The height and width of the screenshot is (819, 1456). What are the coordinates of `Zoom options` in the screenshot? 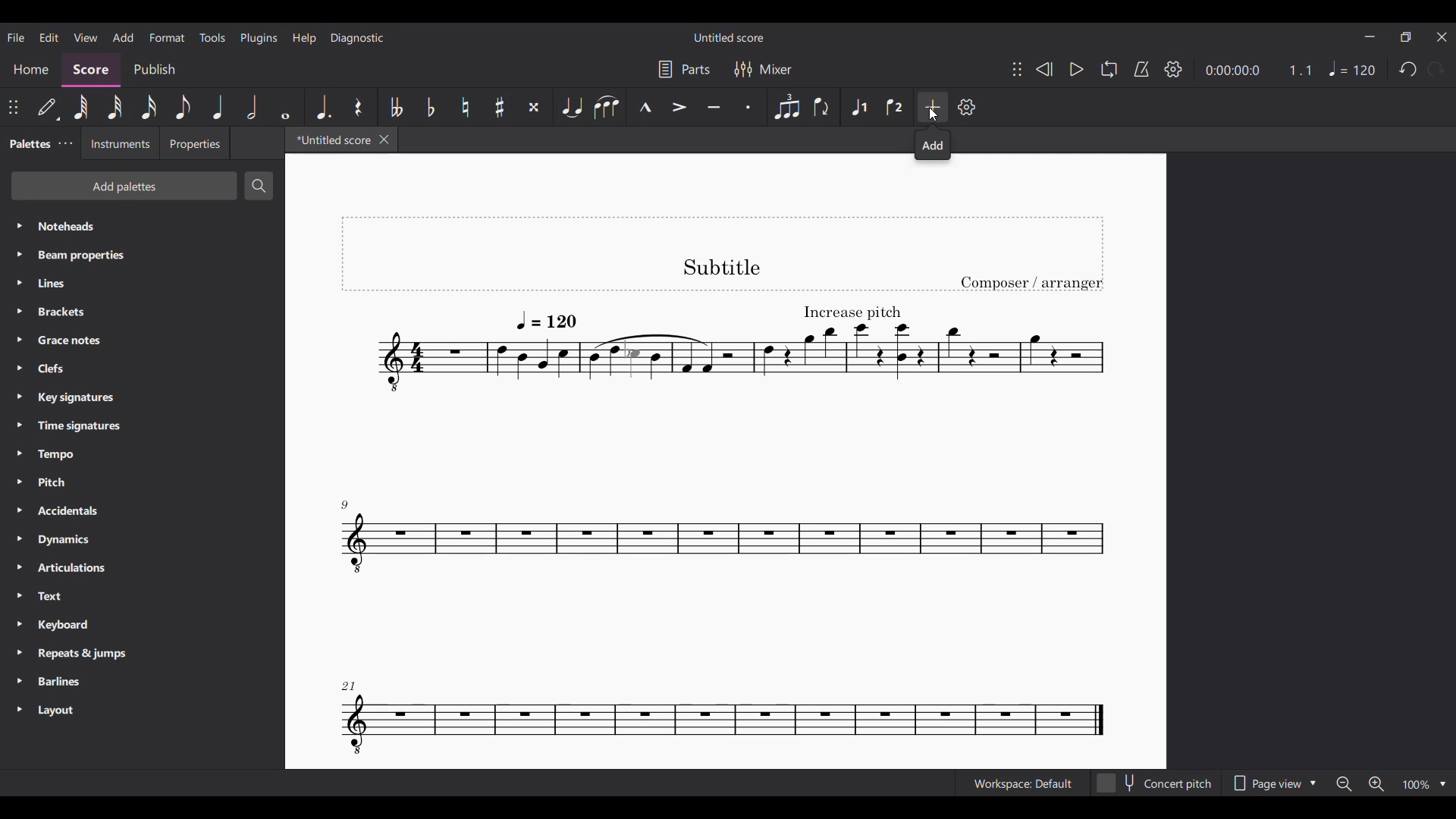 It's located at (1425, 784).